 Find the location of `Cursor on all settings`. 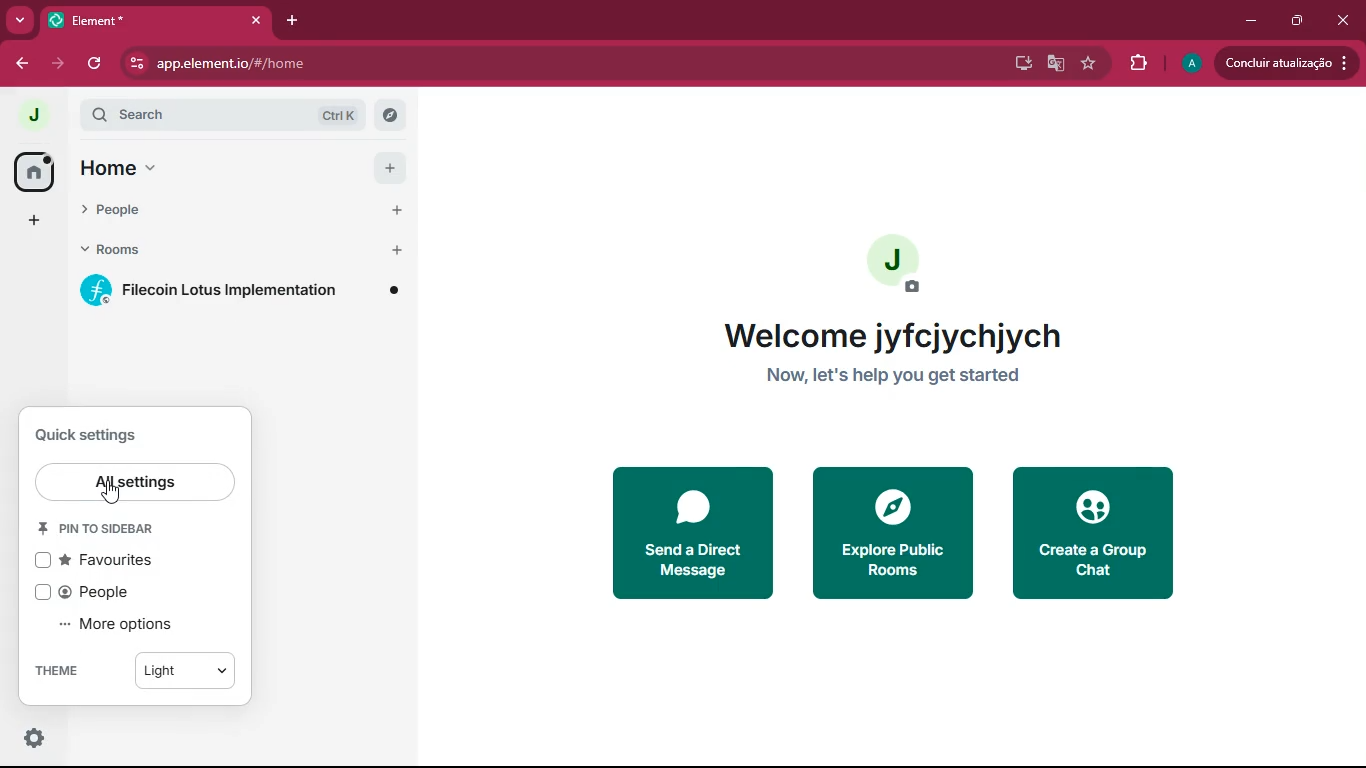

Cursor on all settings is located at coordinates (133, 483).